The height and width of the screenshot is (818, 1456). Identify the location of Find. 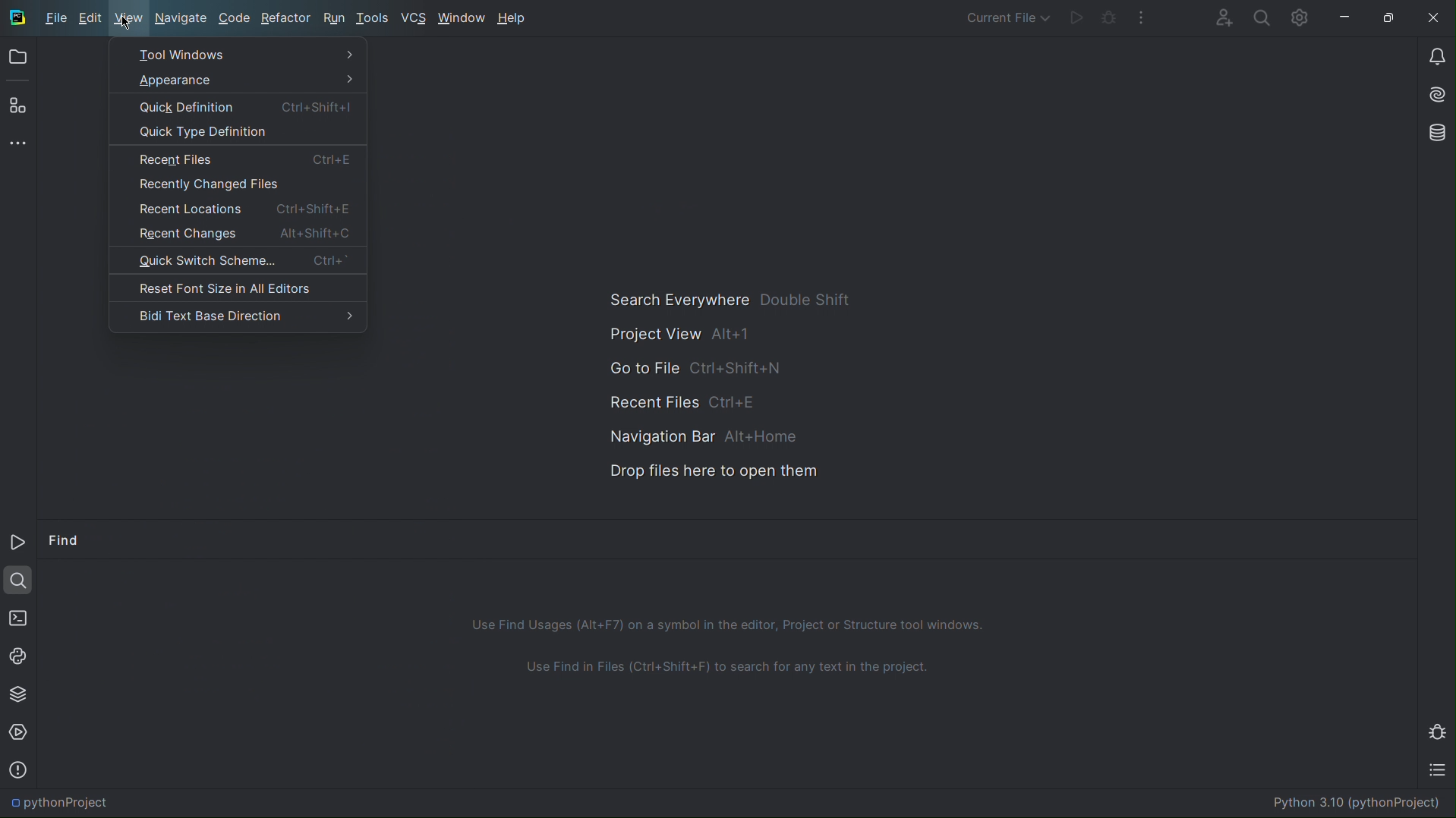
(65, 543).